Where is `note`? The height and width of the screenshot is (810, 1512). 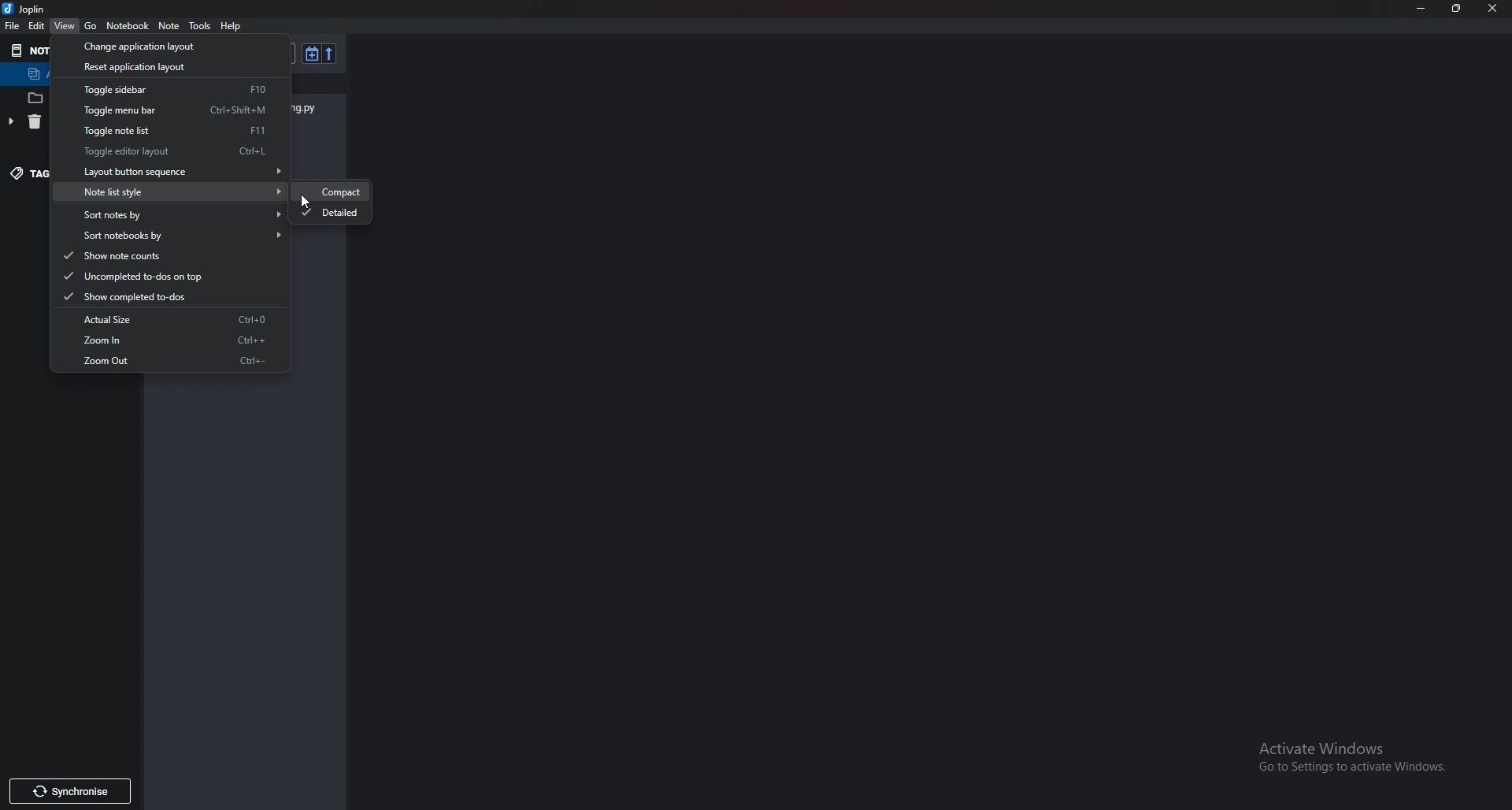 note is located at coordinates (169, 27).